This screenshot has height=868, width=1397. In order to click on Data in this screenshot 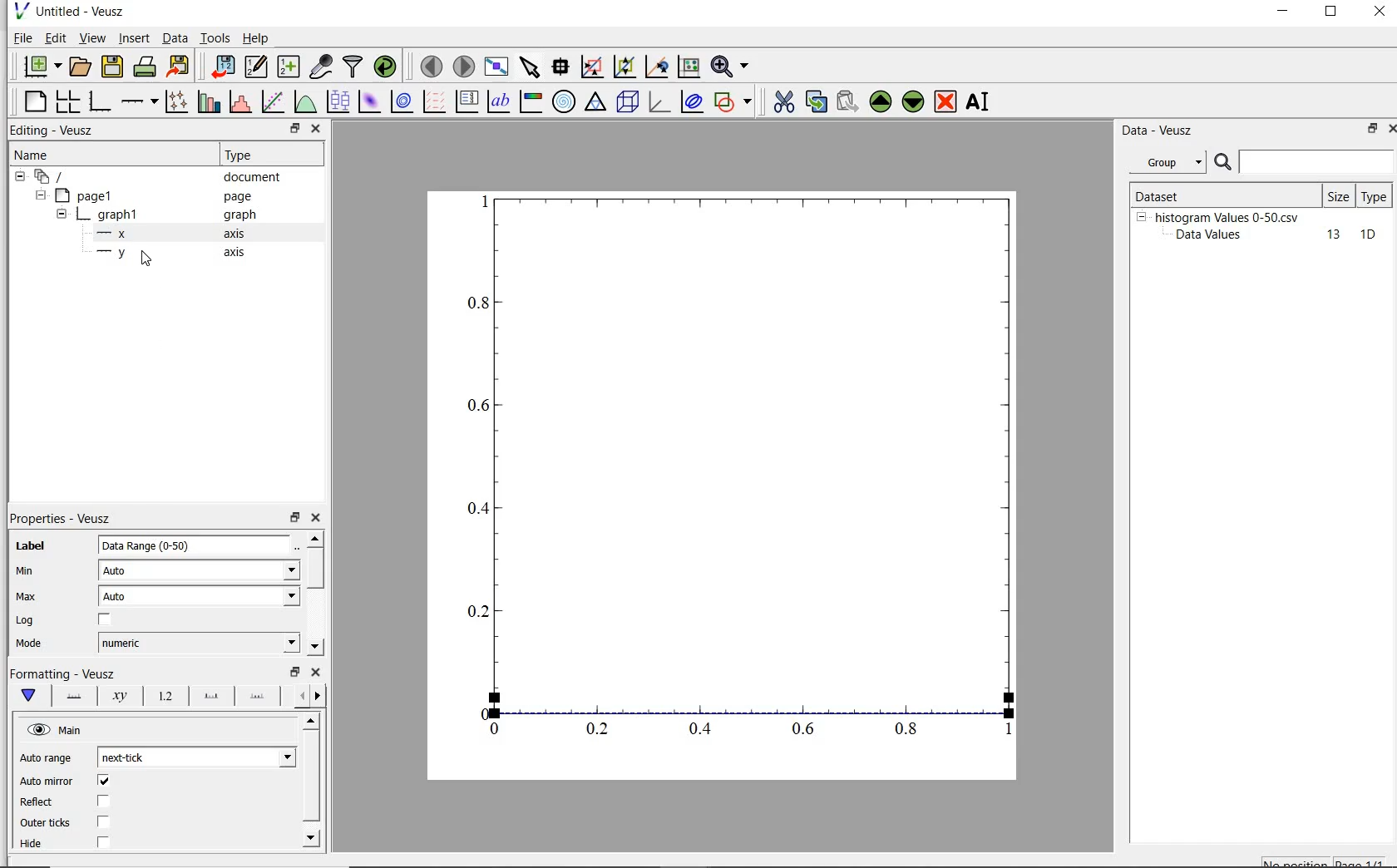, I will do `click(175, 37)`.